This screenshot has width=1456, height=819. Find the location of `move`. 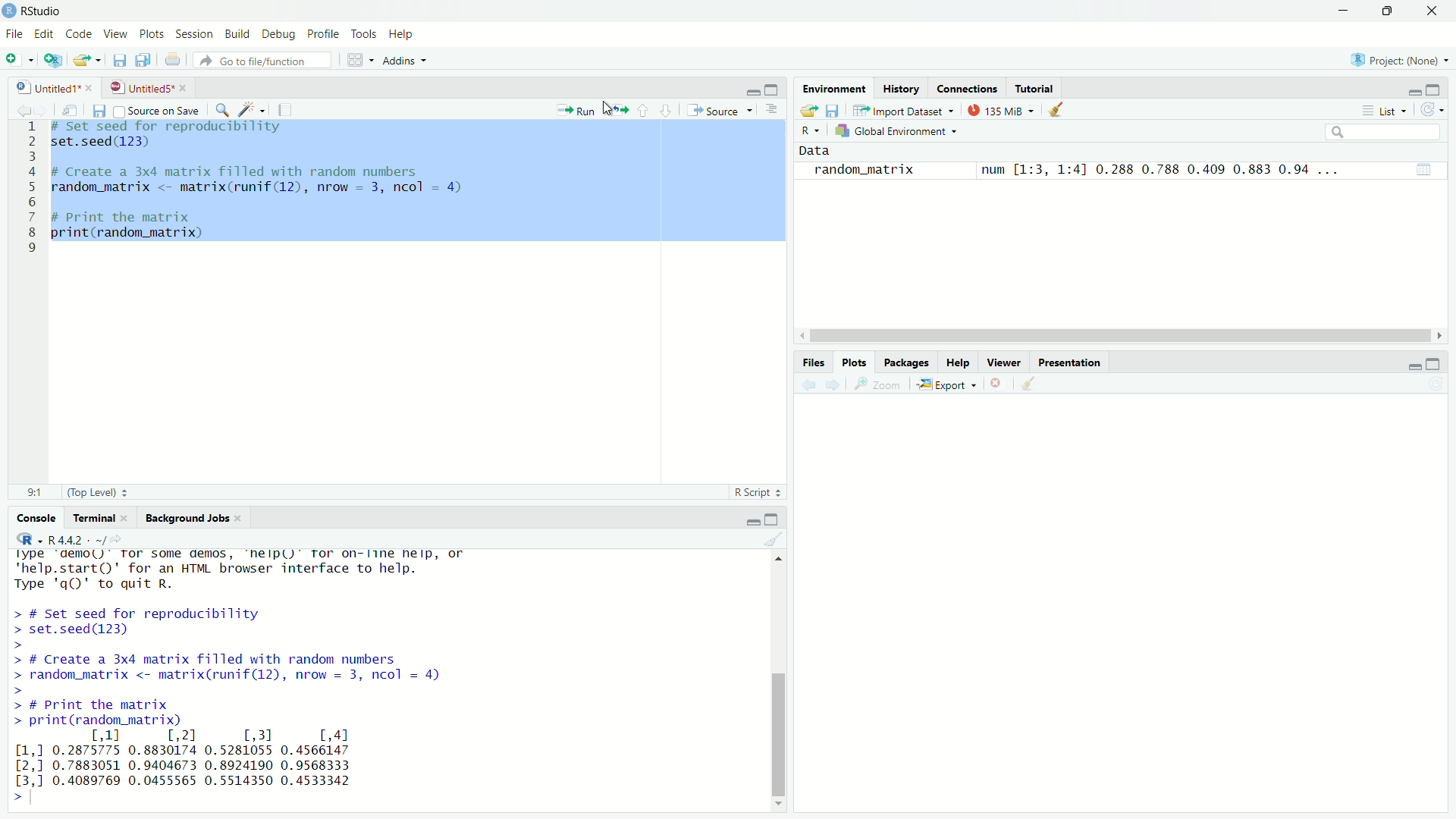

move is located at coordinates (71, 110).